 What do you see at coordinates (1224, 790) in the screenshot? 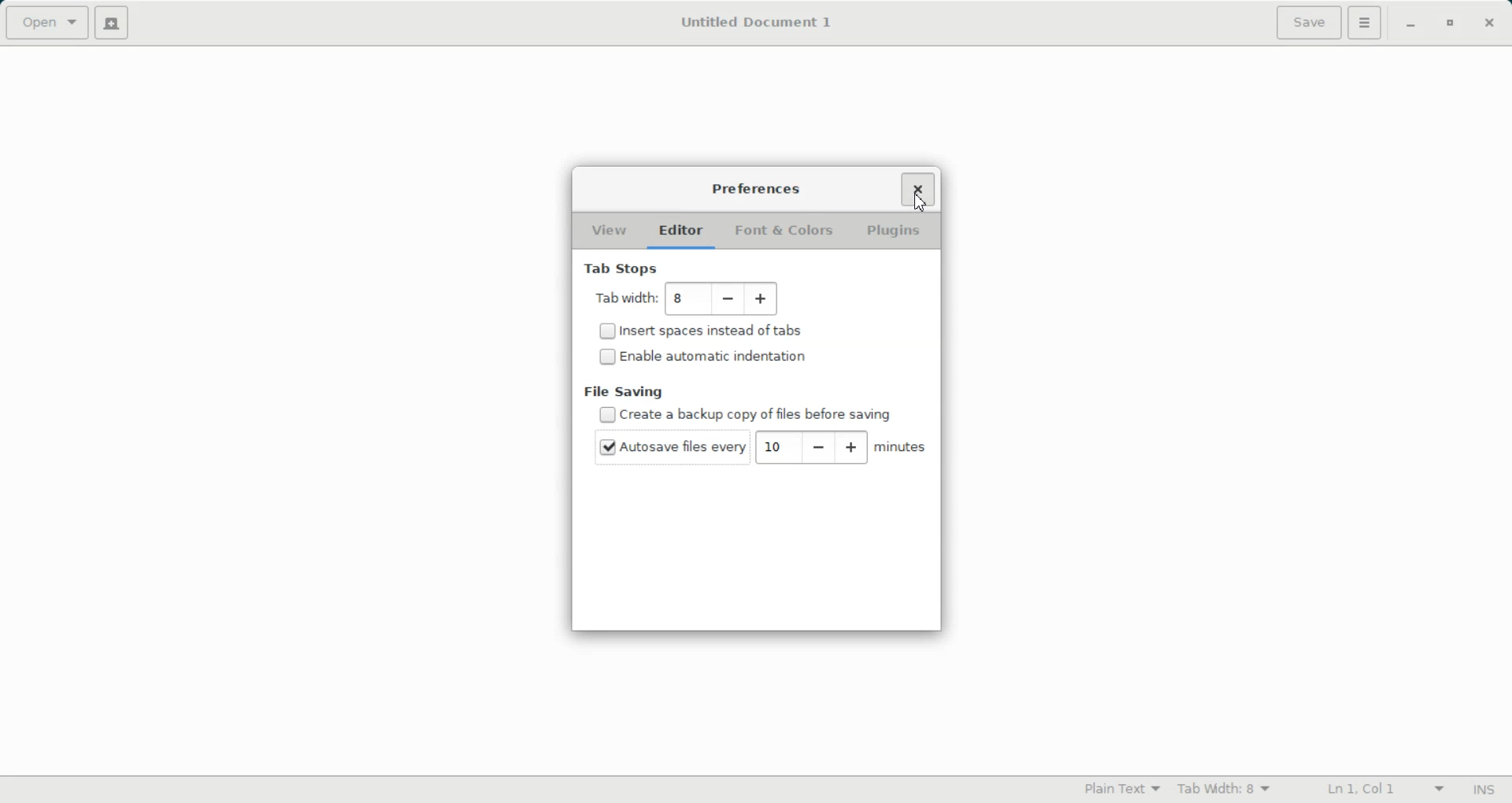
I see `Tab Width` at bounding box center [1224, 790].